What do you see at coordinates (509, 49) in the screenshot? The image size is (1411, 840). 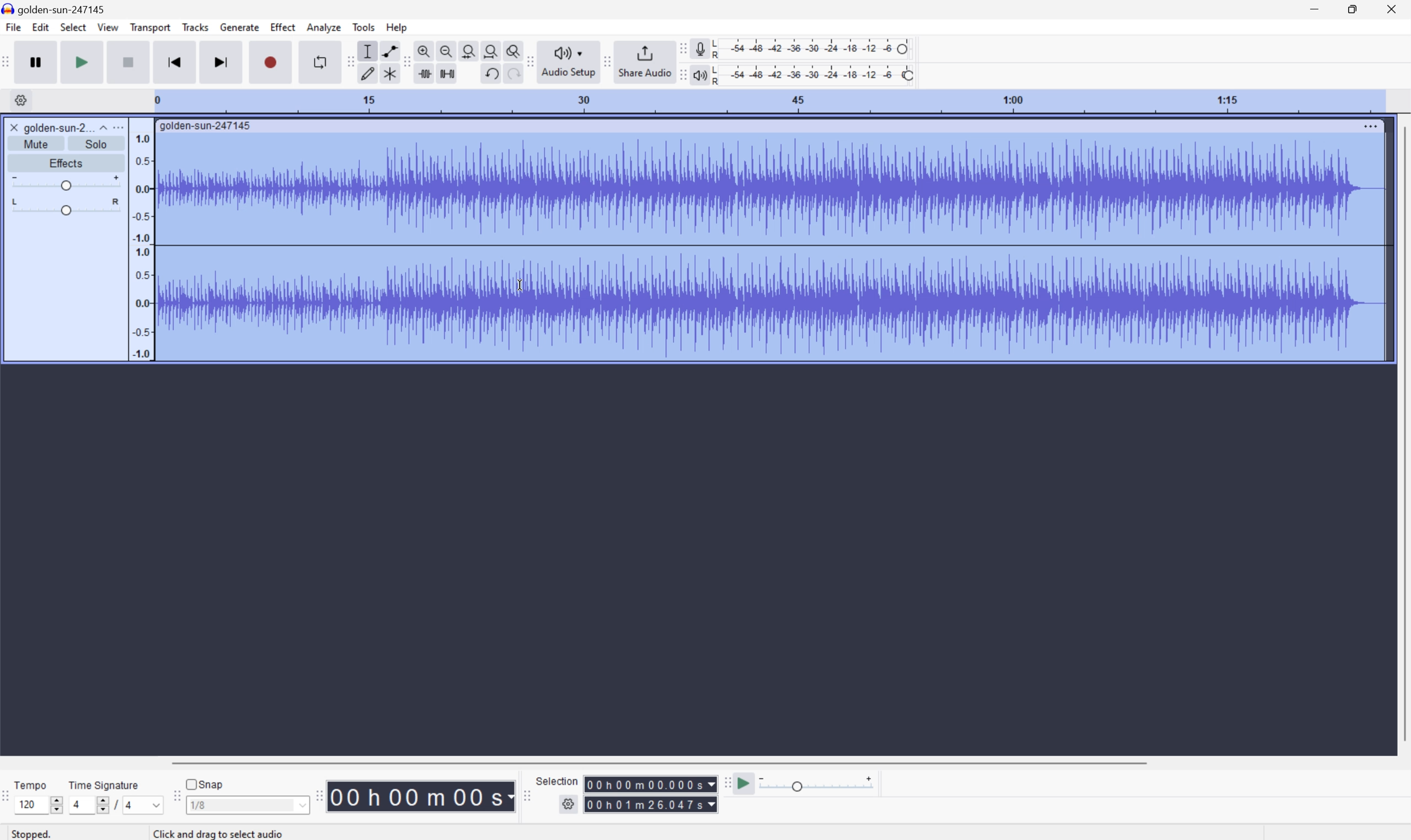 I see `Zoom toggle` at bounding box center [509, 49].